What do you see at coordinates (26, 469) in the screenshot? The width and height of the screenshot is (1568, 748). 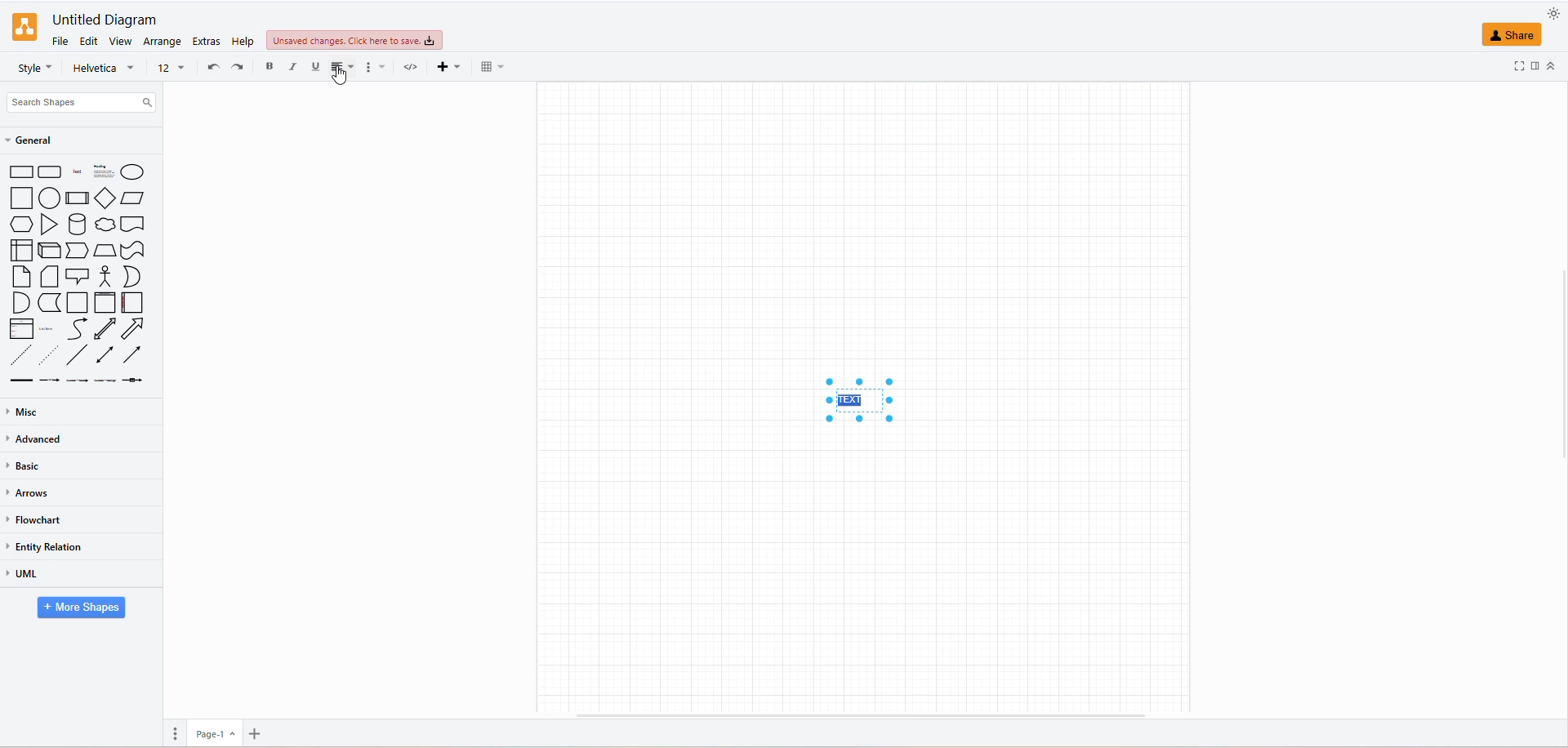 I see `basic` at bounding box center [26, 469].